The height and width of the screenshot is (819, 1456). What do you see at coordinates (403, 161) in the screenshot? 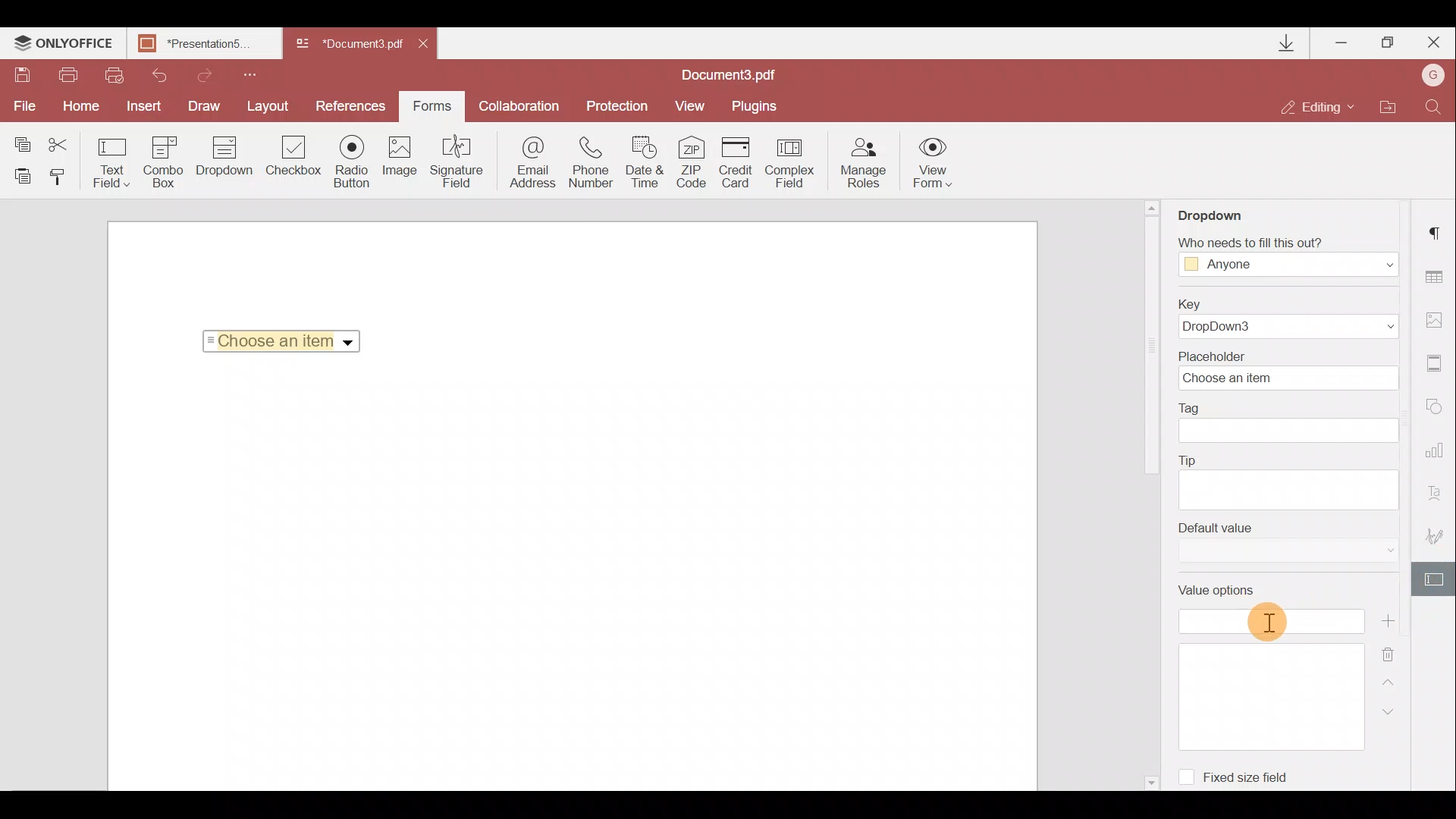
I see `Image` at bounding box center [403, 161].